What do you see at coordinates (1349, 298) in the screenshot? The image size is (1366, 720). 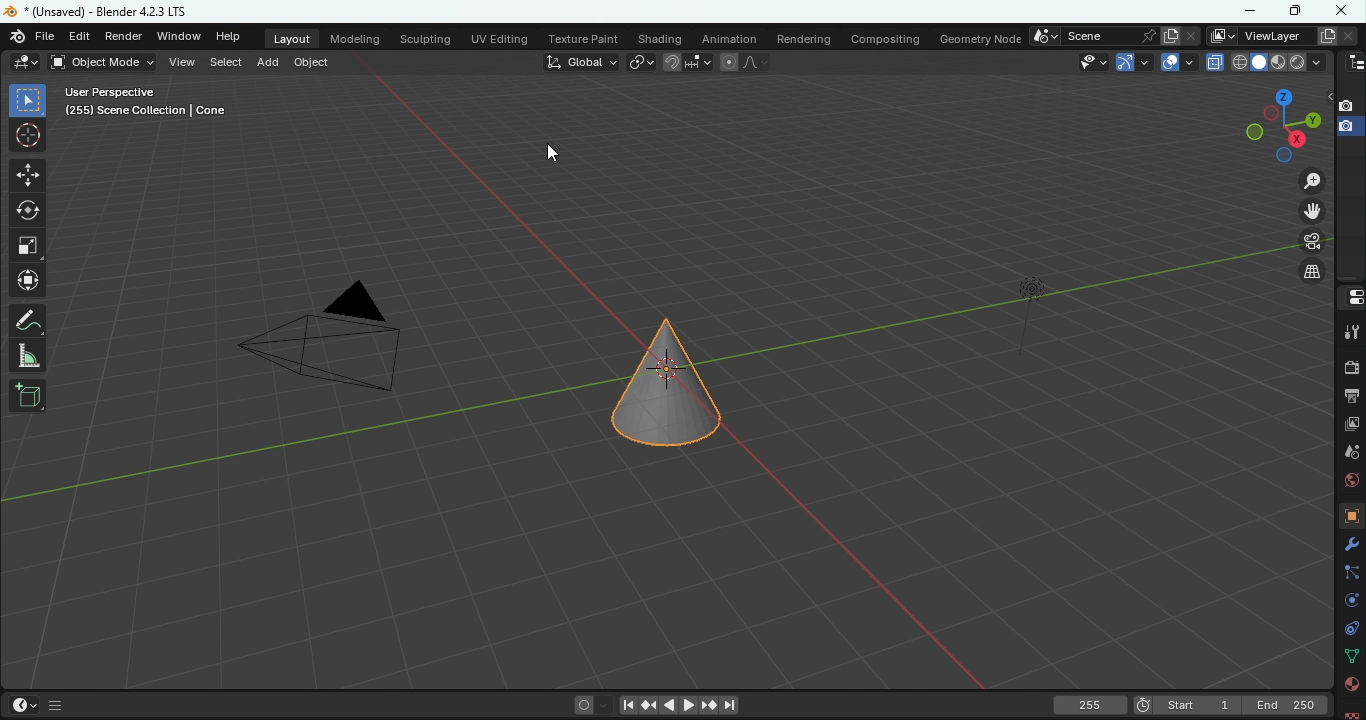 I see `Editor type` at bounding box center [1349, 298].